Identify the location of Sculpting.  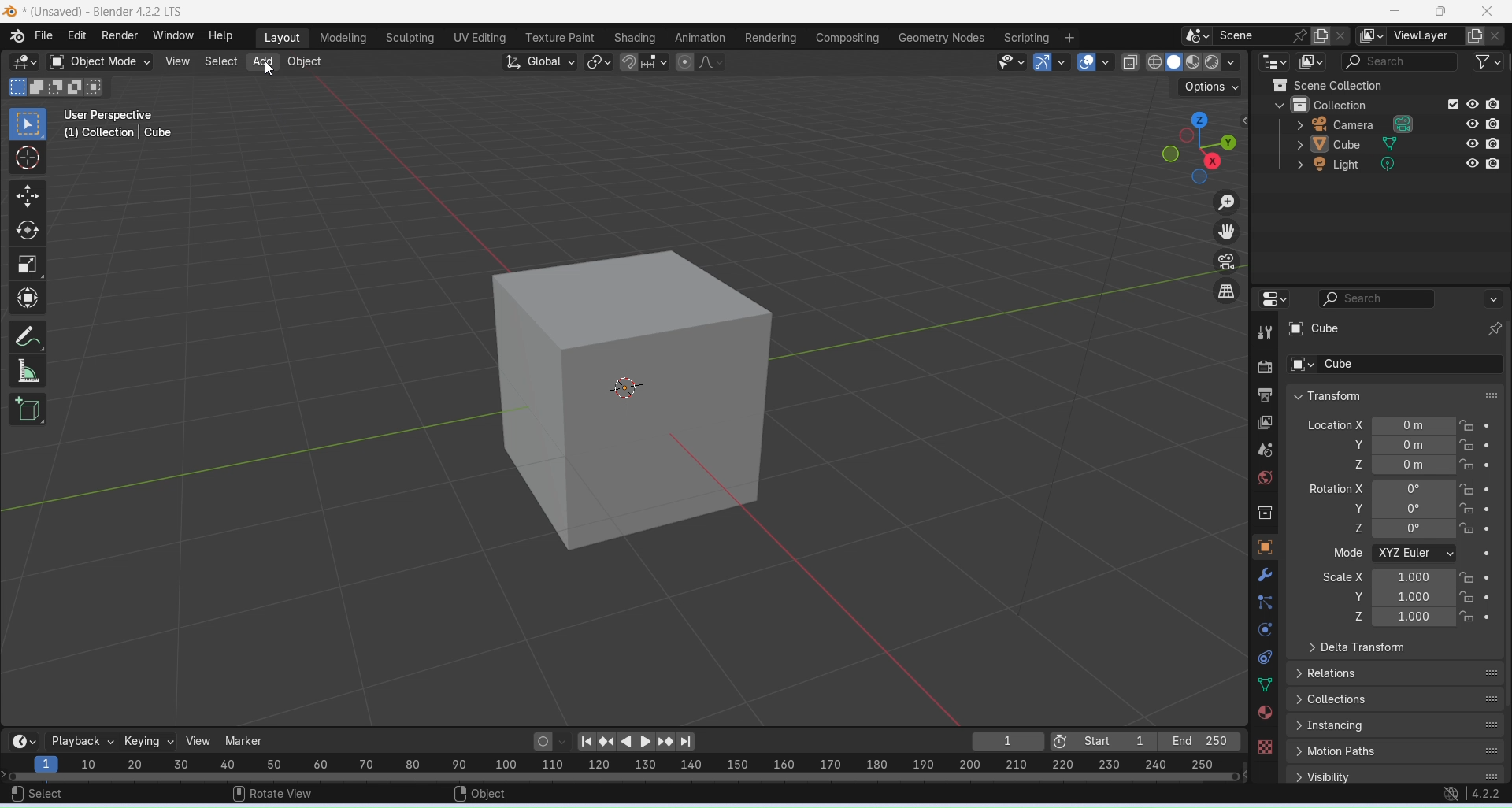
(408, 39).